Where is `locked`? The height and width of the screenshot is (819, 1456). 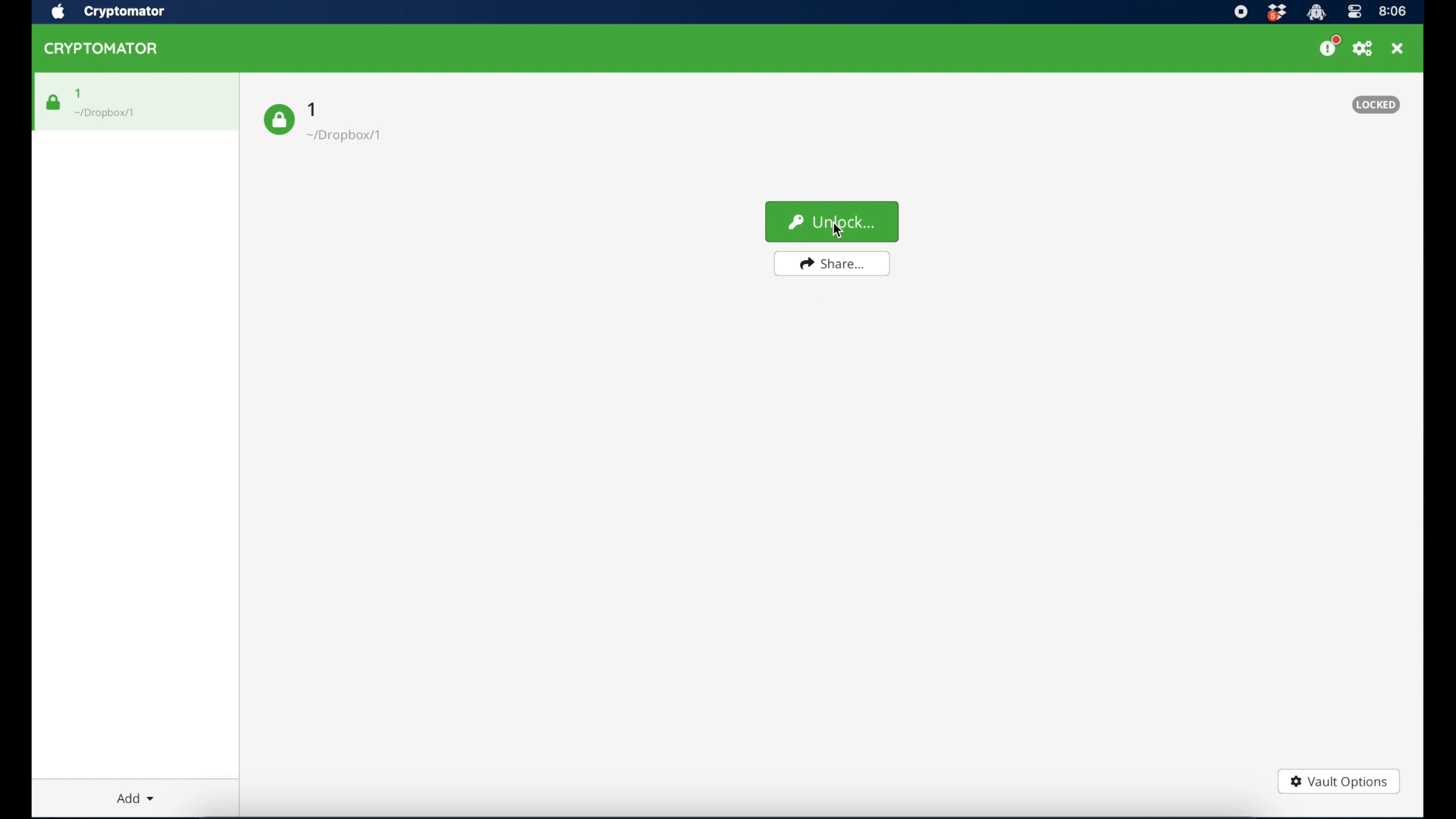
locked is located at coordinates (1376, 105).